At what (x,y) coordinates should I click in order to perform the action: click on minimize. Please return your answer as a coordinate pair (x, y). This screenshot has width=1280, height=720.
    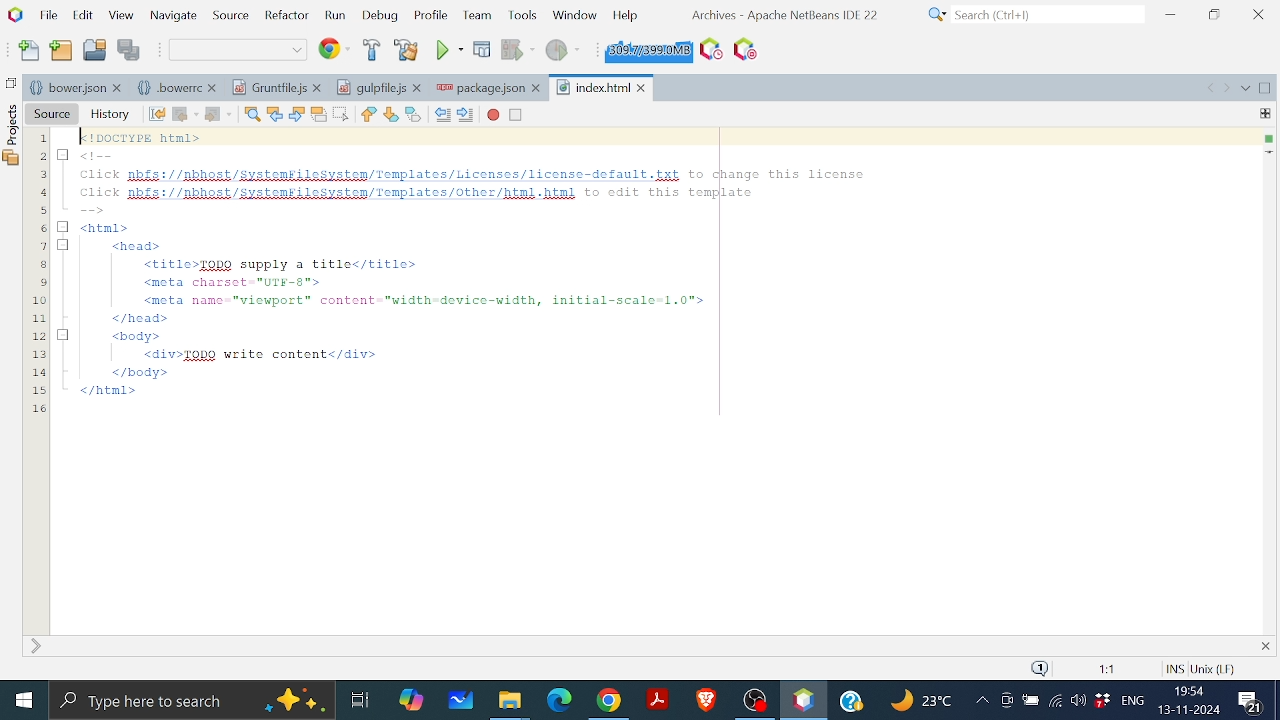
    Looking at the image, I should click on (64, 158).